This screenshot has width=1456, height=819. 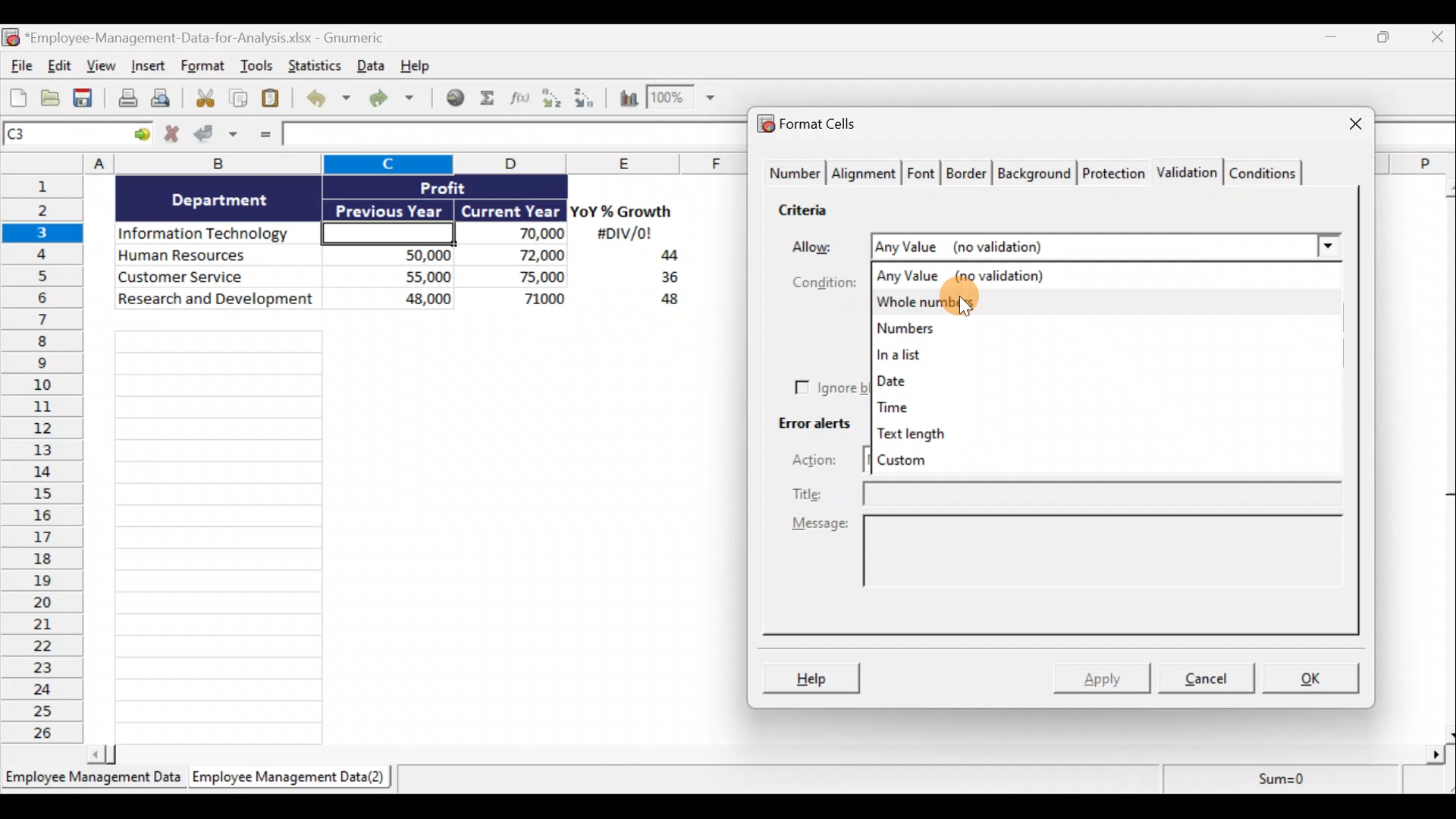 I want to click on Help, so click(x=420, y=64).